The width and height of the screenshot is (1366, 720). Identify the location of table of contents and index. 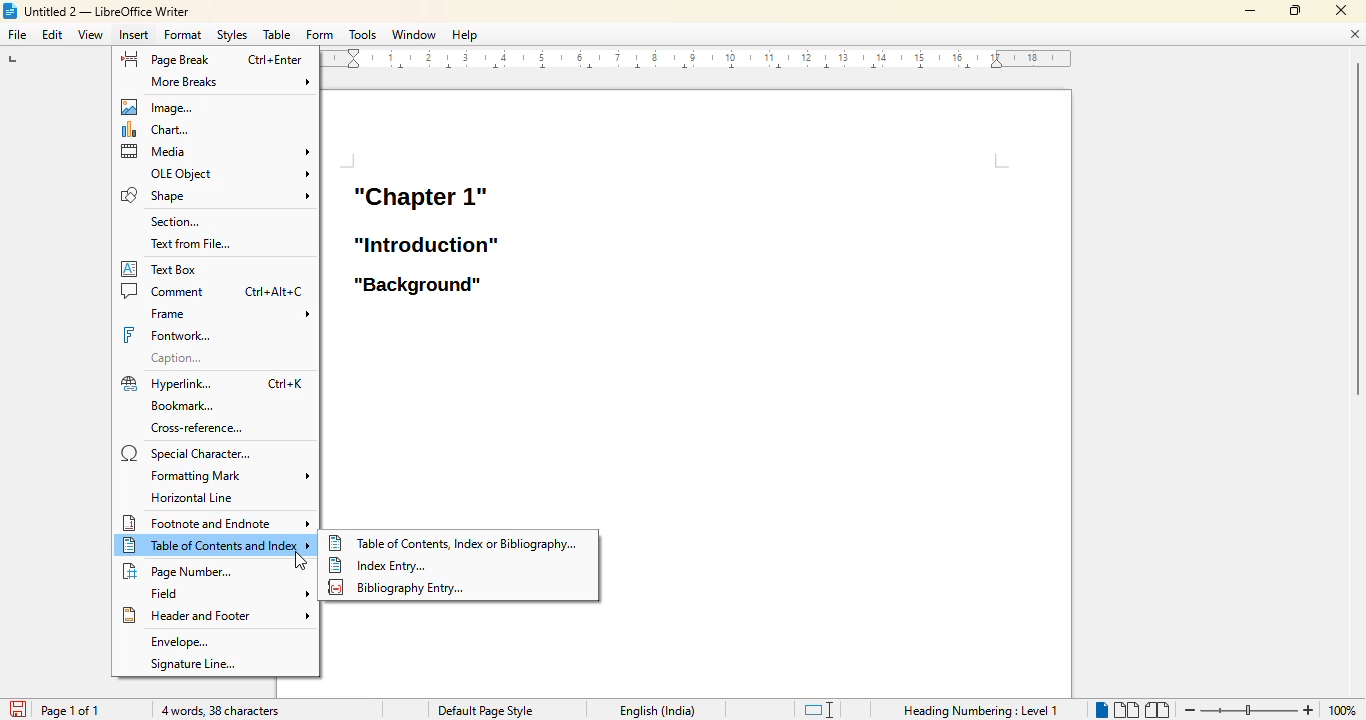
(217, 545).